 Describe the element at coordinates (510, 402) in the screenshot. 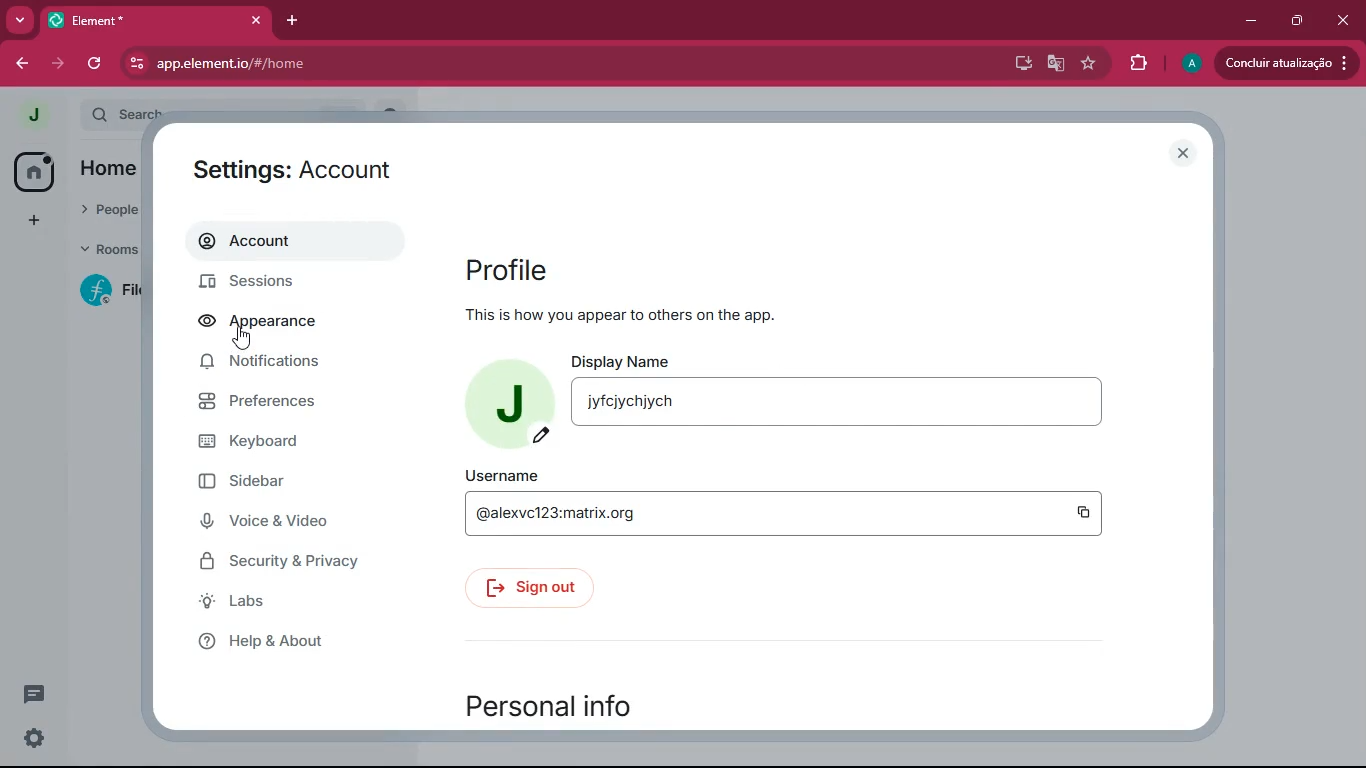

I see `profile picture` at that location.